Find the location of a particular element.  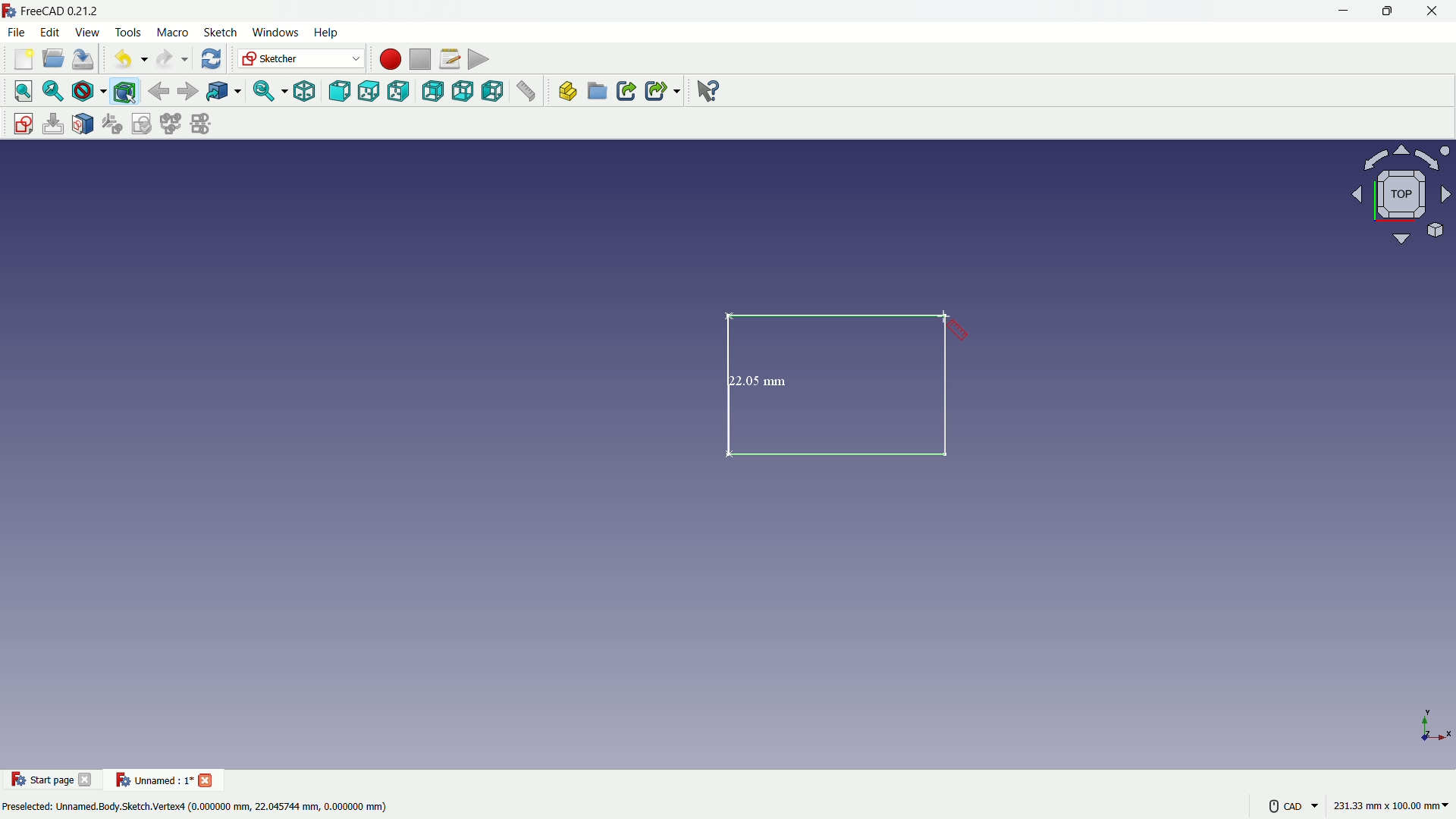

fit selection is located at coordinates (52, 91).